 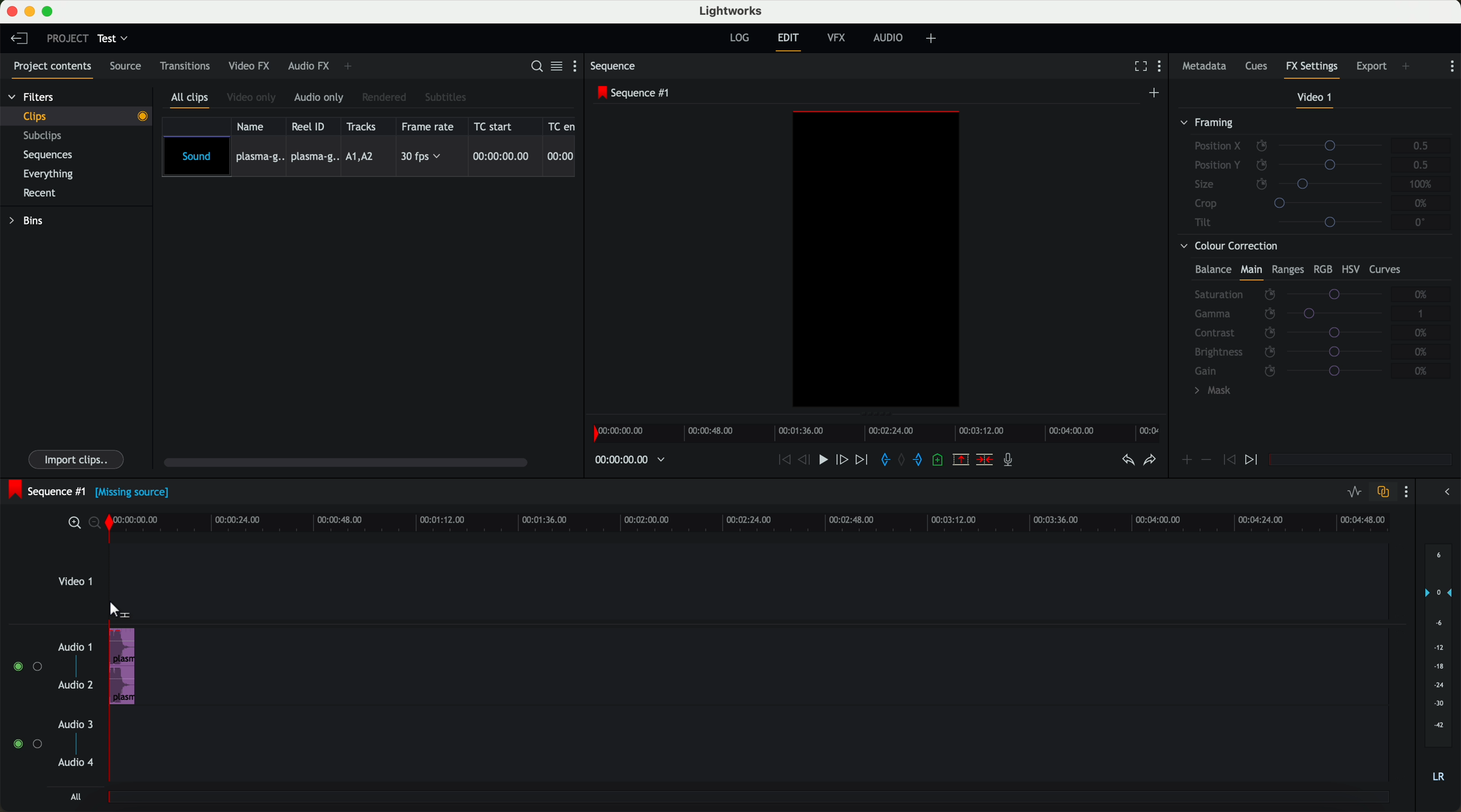 I want to click on timeline, so click(x=880, y=433).